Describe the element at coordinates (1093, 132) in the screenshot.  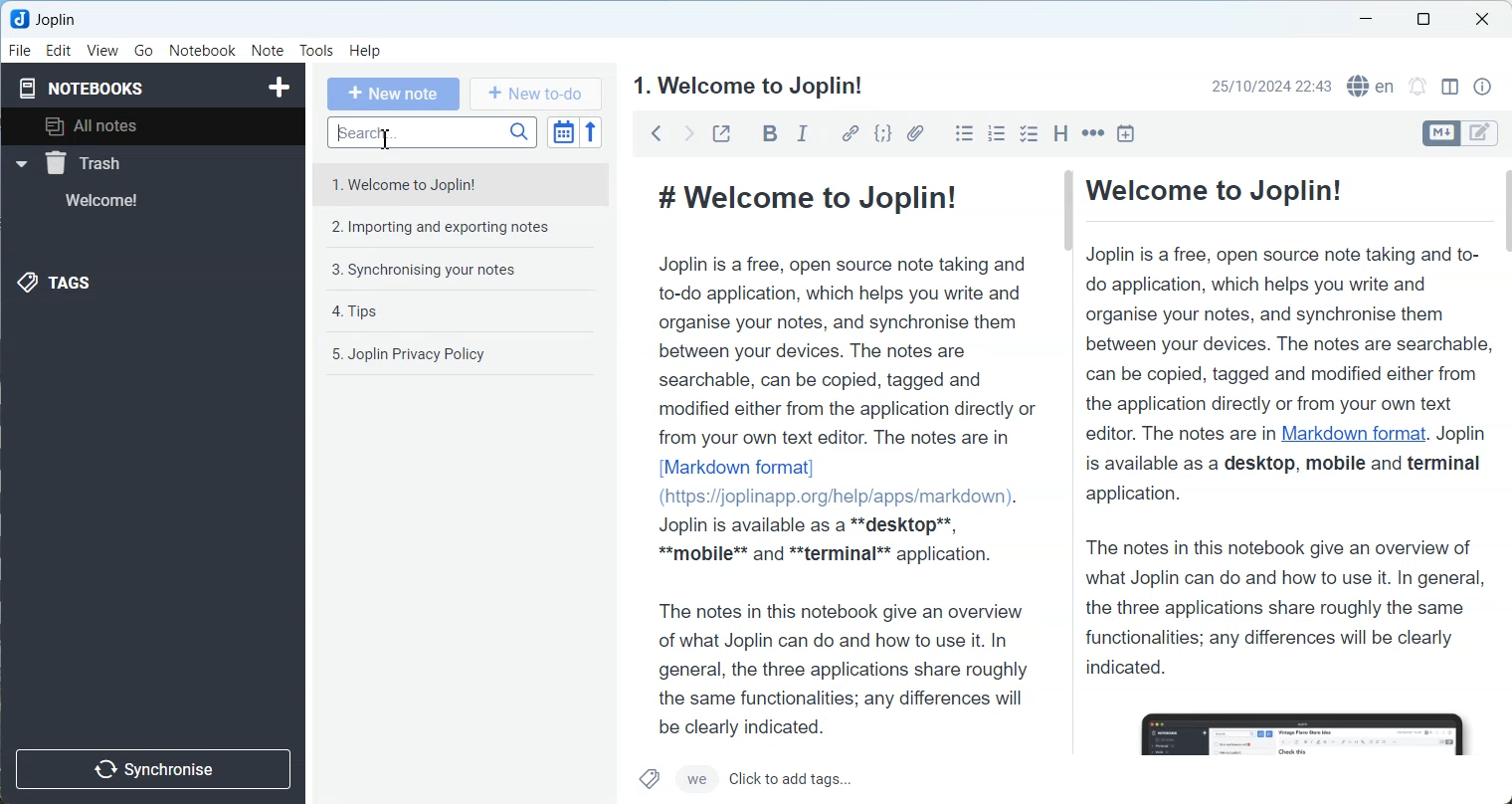
I see `Horizontal Rule` at that location.